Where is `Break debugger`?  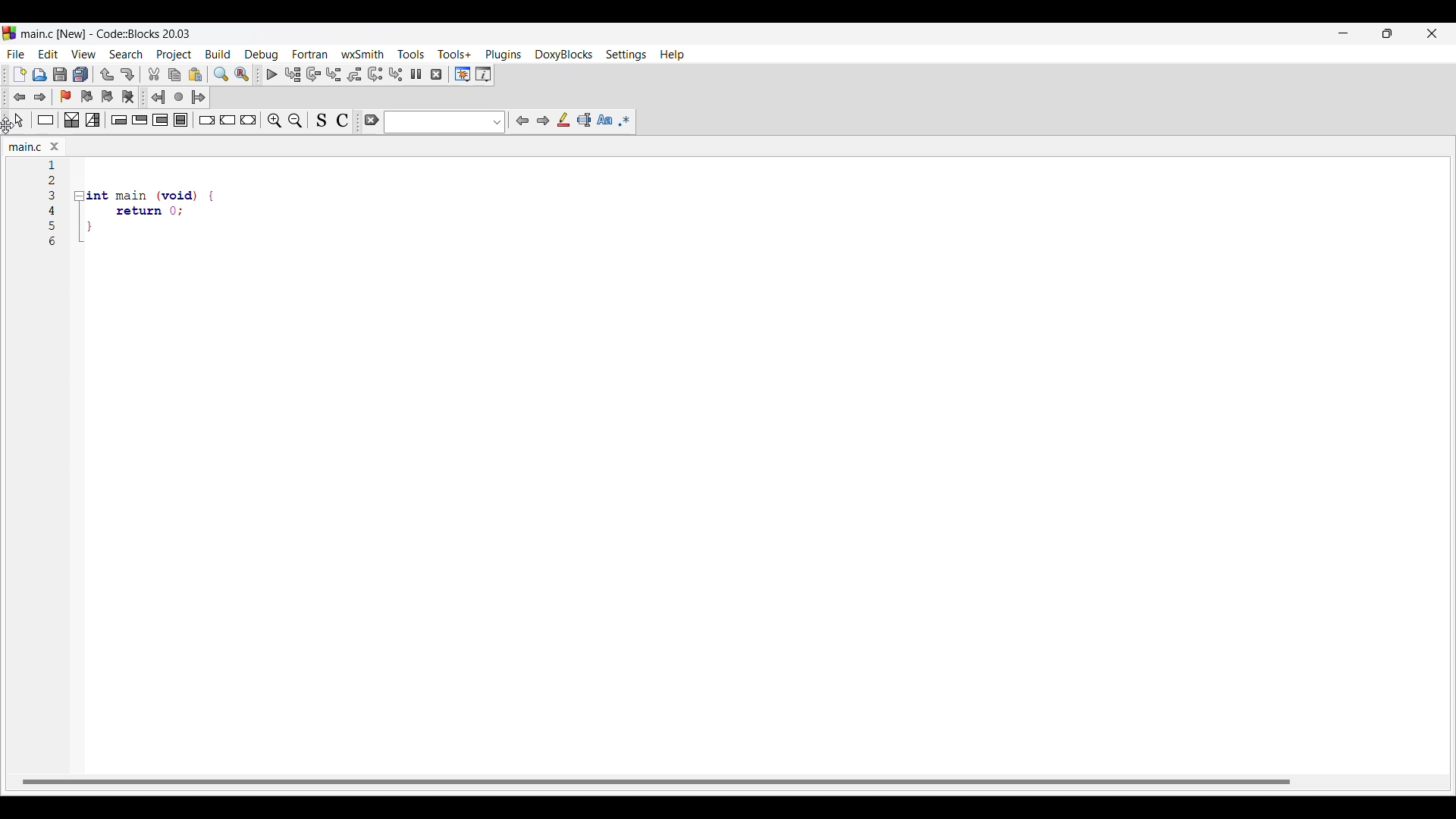
Break debugger is located at coordinates (416, 74).